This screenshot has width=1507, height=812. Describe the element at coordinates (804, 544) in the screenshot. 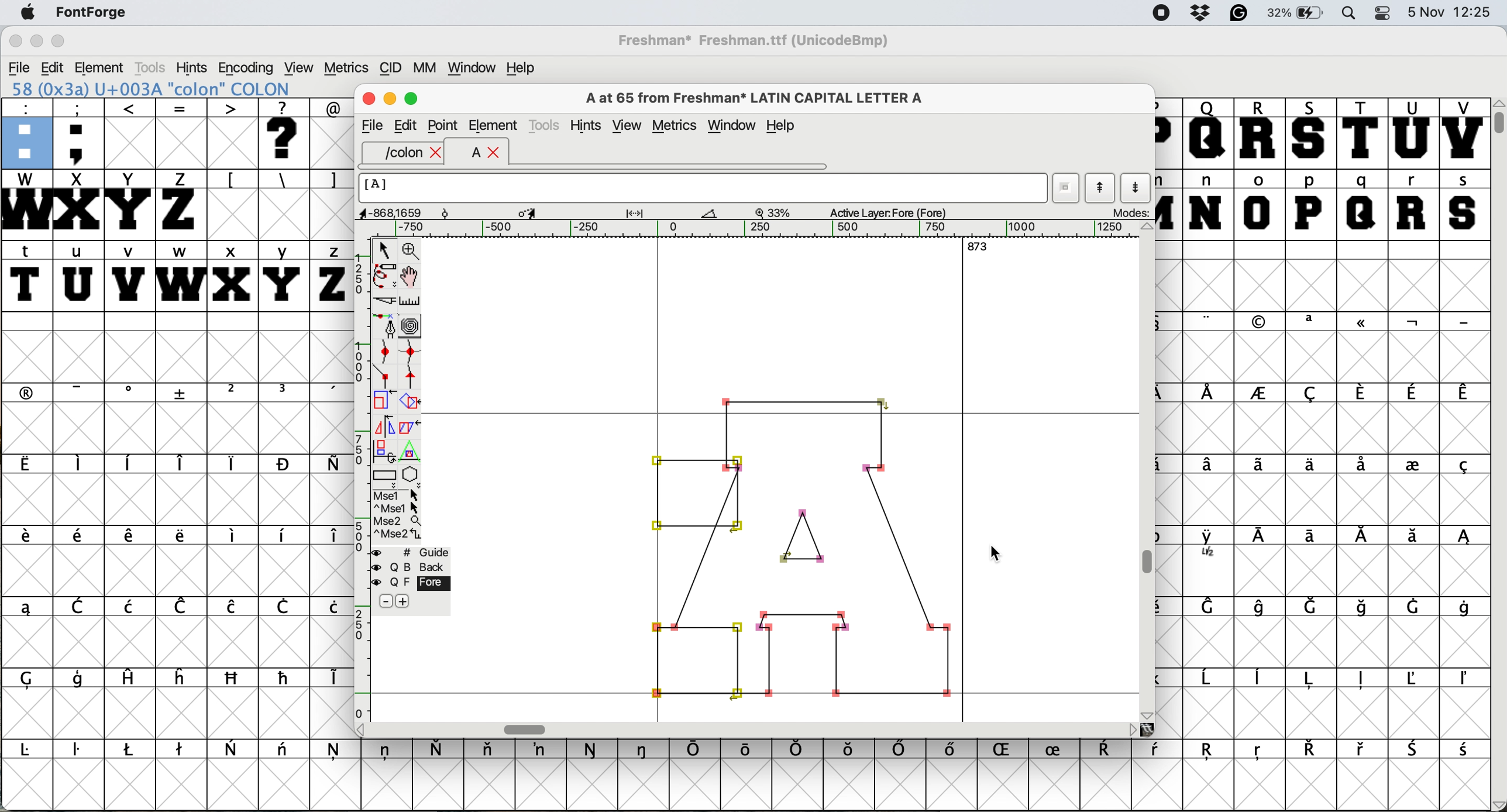

I see `glyph` at that location.